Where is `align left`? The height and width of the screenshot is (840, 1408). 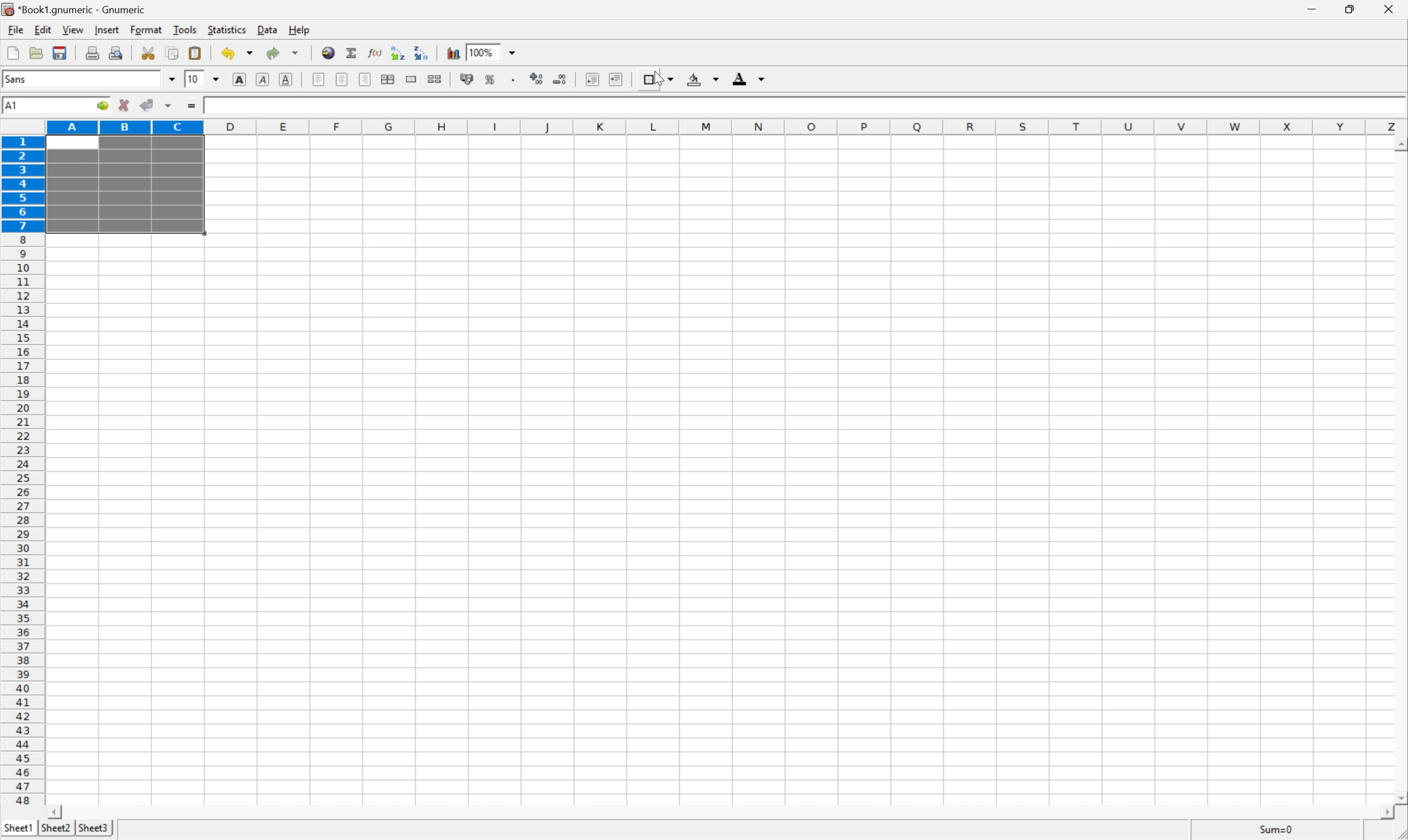 align left is located at coordinates (319, 79).